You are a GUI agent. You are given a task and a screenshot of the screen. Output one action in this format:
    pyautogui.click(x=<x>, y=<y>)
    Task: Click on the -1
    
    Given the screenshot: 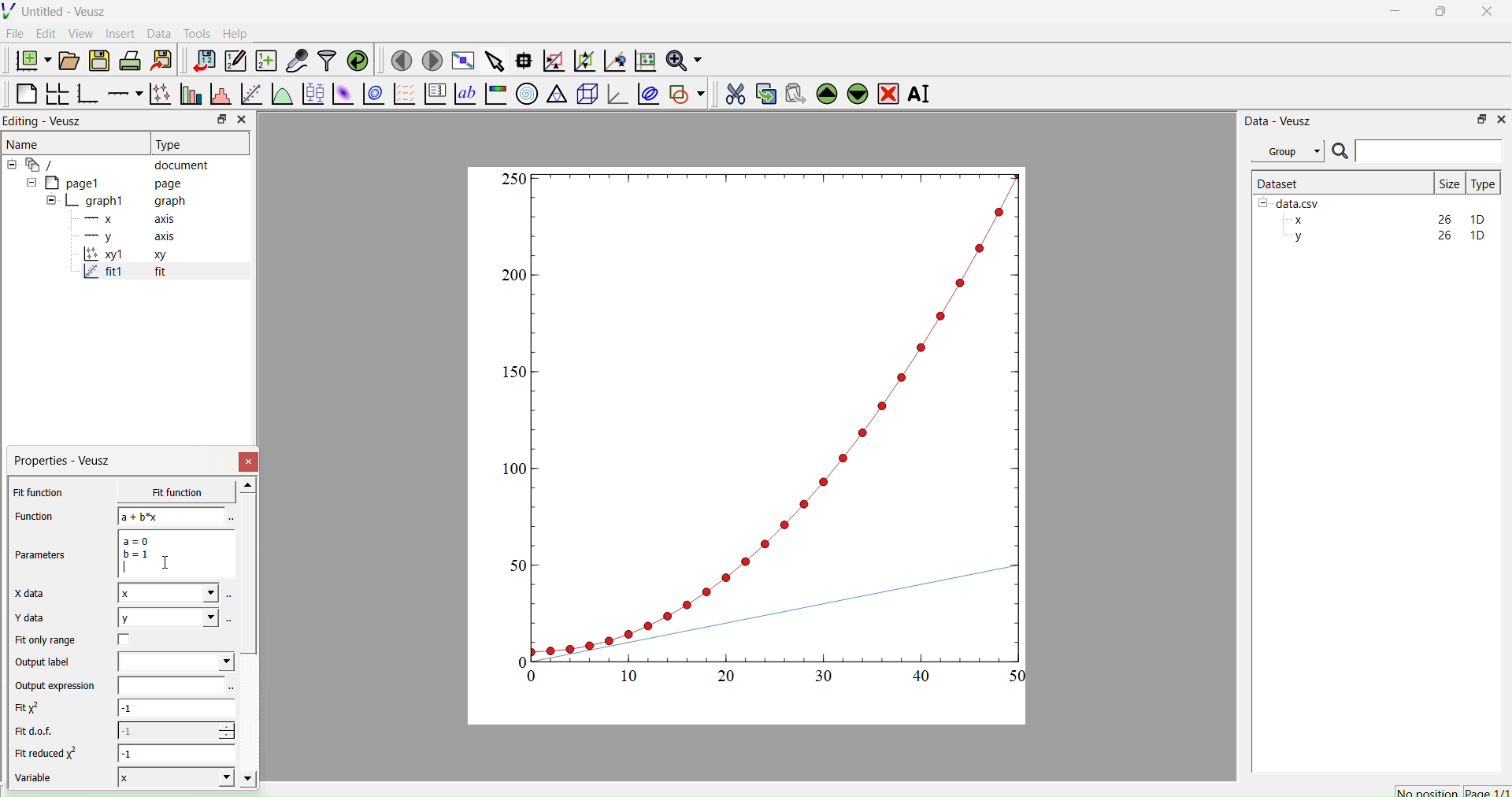 What is the action you would take?
    pyautogui.click(x=178, y=753)
    